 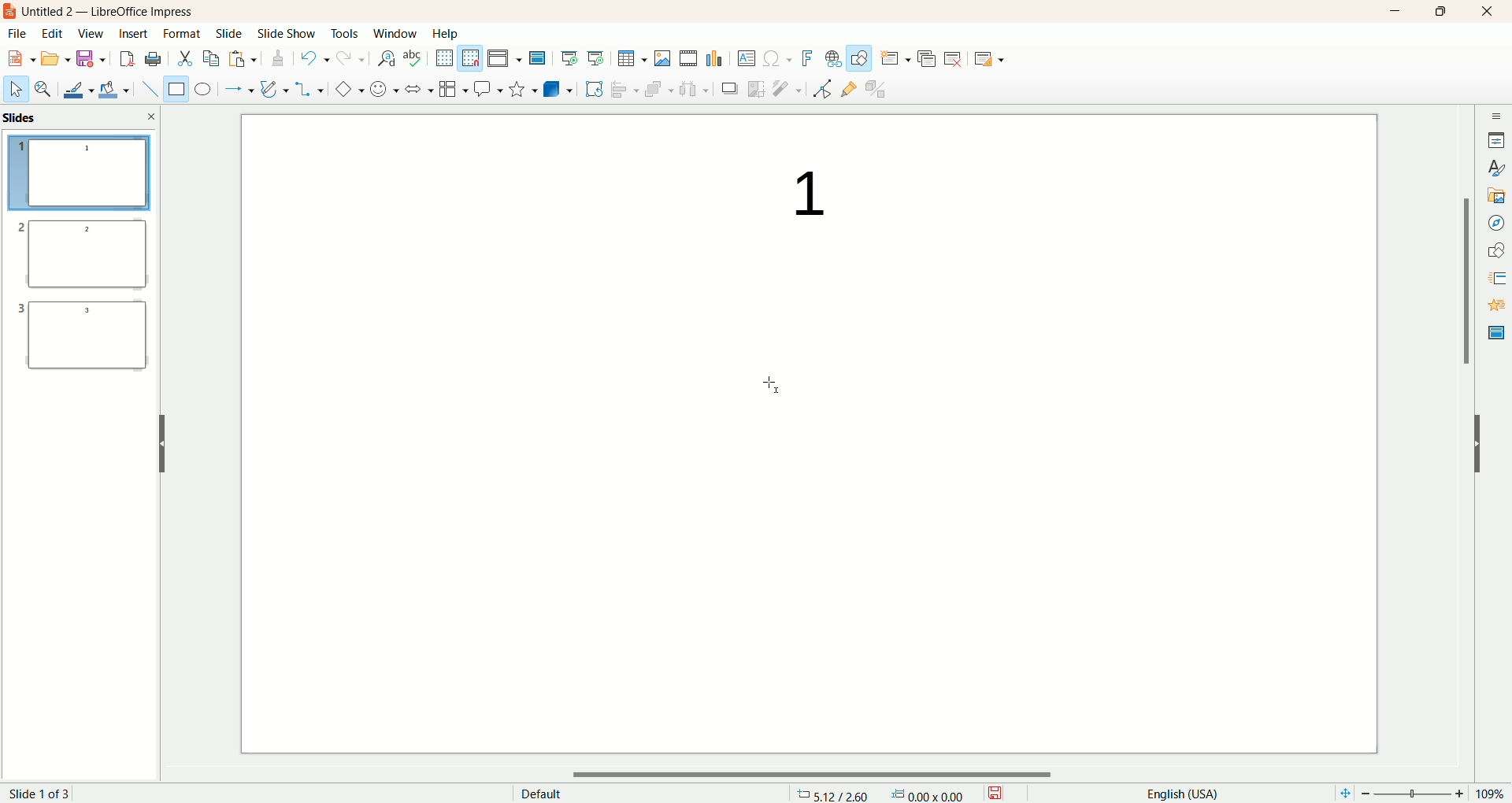 I want to click on symbol shapes, so click(x=381, y=90).